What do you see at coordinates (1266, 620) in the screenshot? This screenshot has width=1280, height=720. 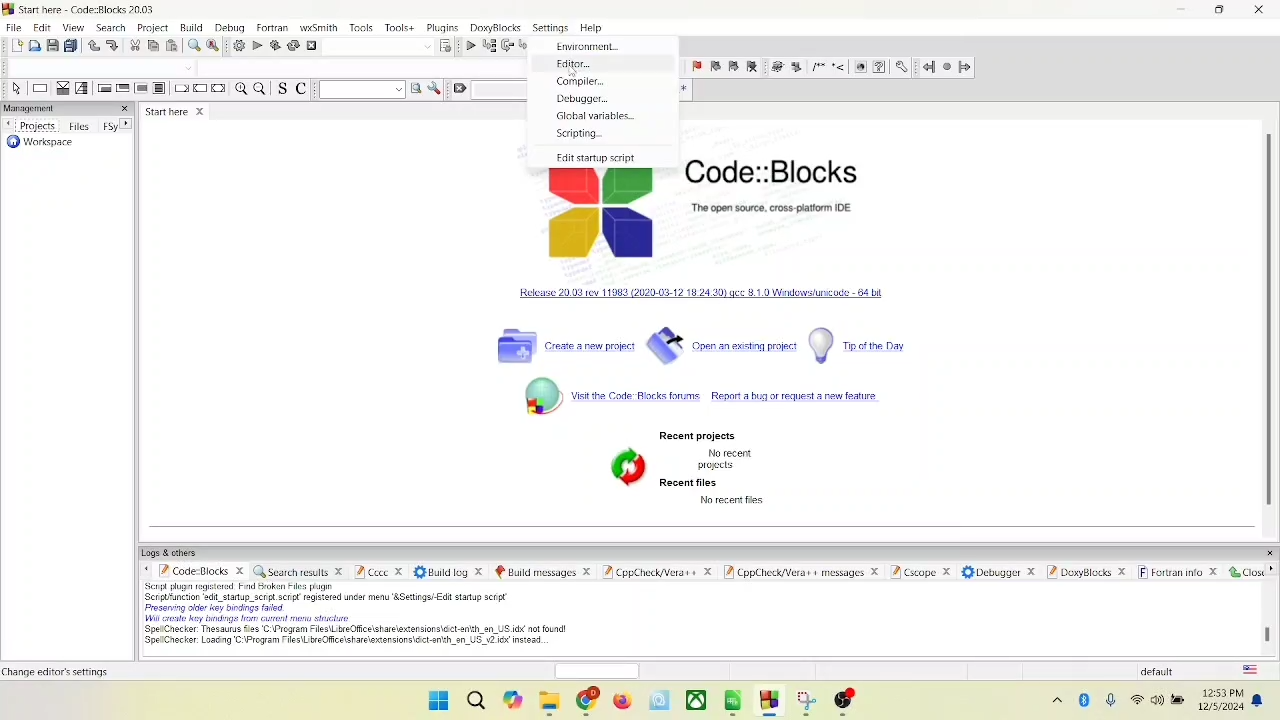 I see `scroll bar` at bounding box center [1266, 620].